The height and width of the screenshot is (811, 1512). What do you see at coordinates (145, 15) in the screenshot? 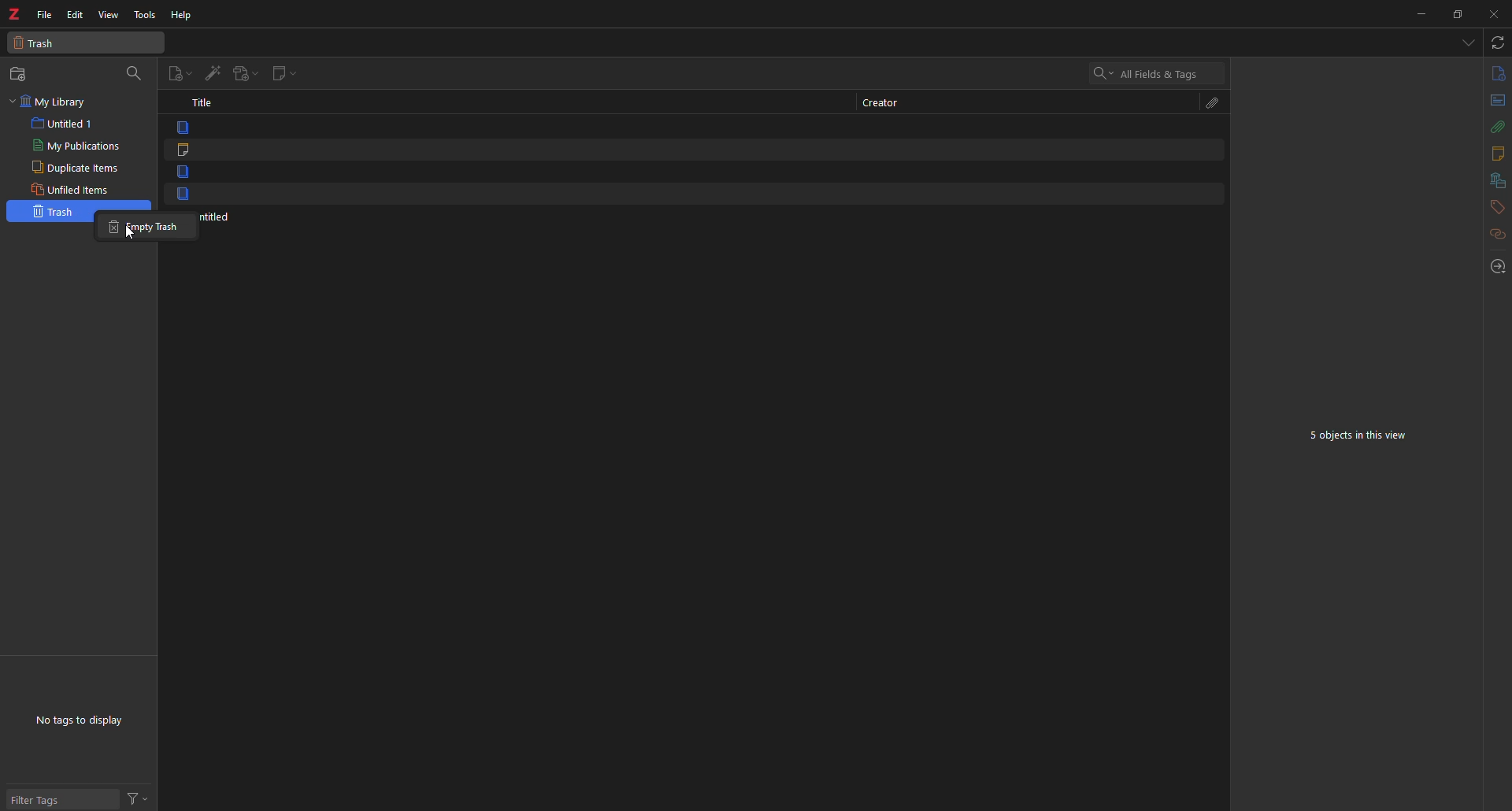
I see `tools` at bounding box center [145, 15].